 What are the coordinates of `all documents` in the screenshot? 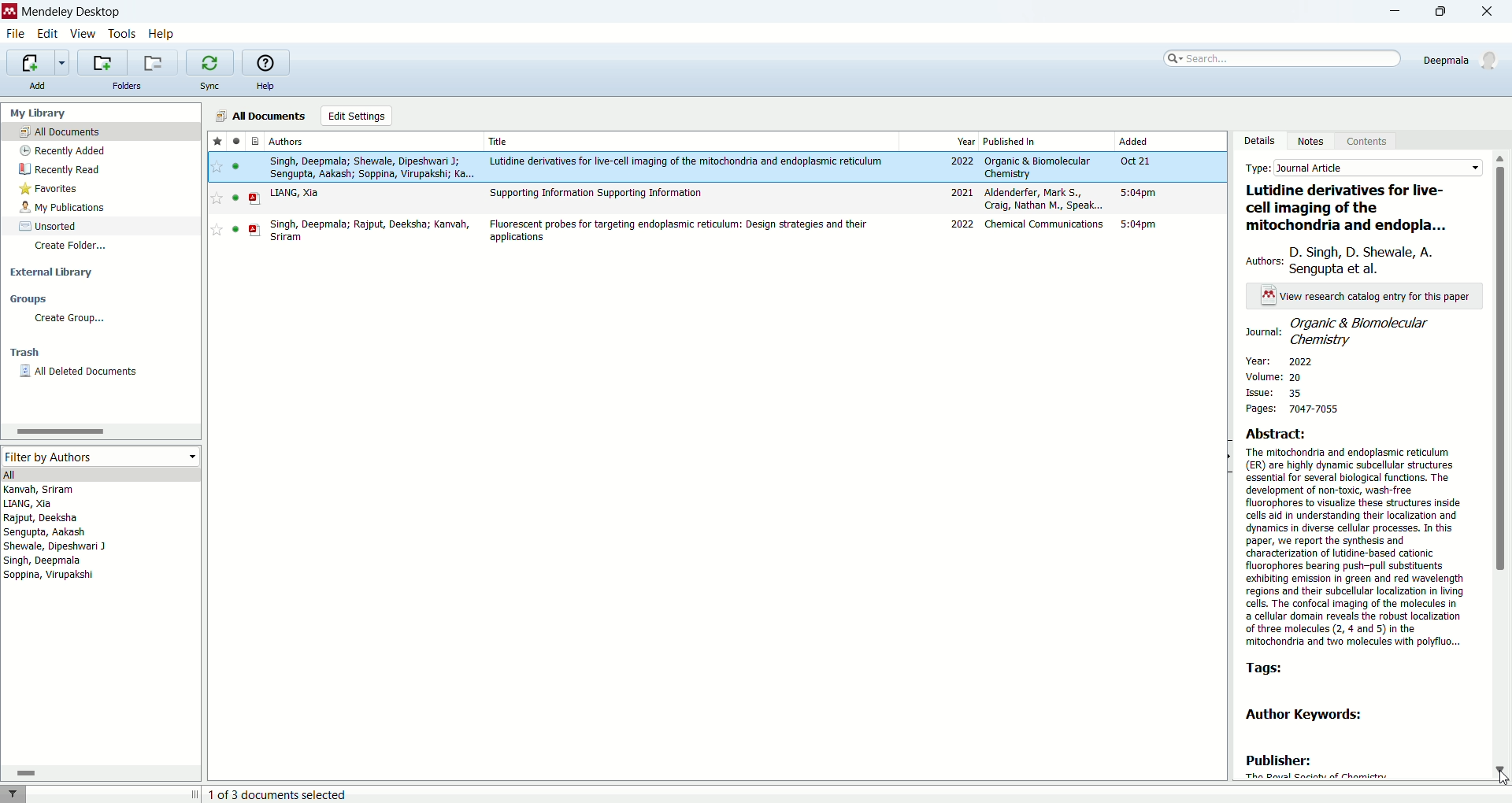 It's located at (258, 116).